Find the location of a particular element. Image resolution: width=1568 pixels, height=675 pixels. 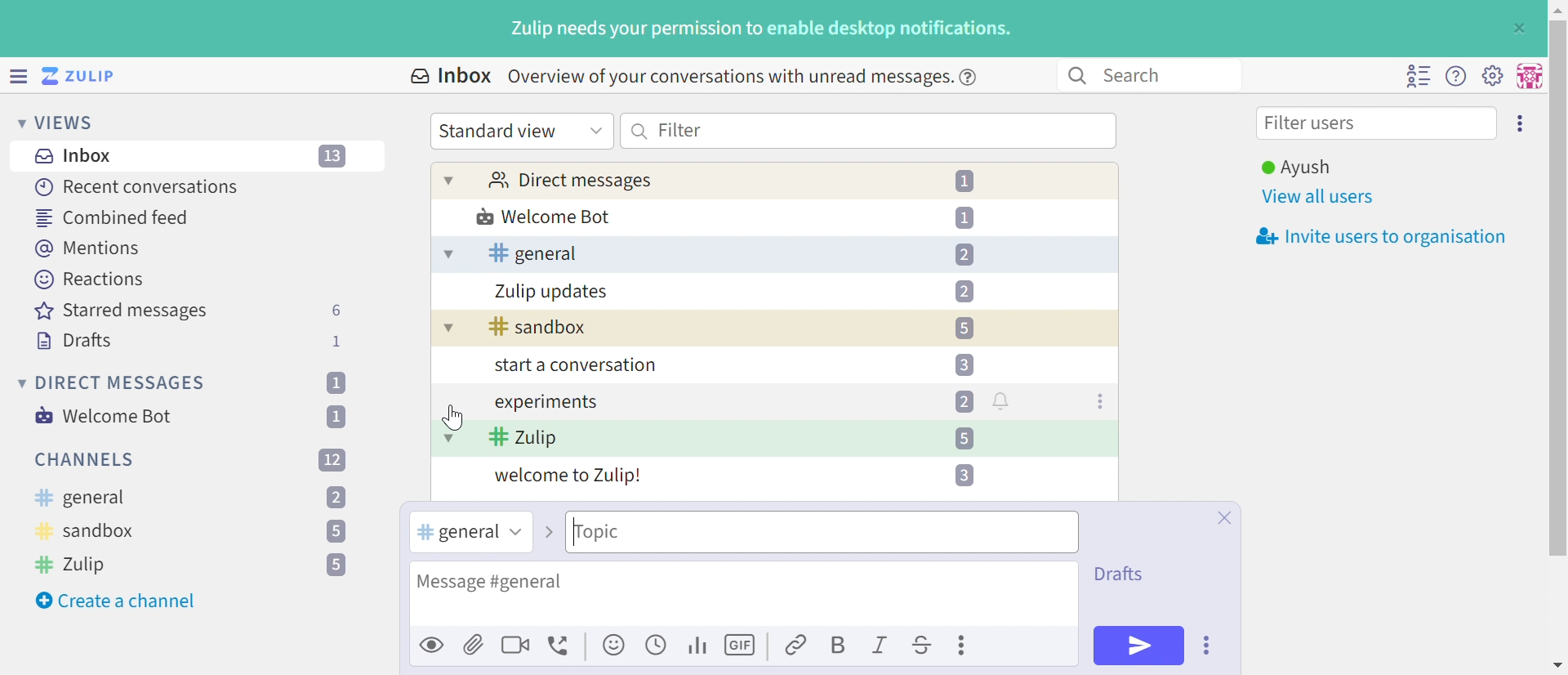

5 is located at coordinates (964, 329).